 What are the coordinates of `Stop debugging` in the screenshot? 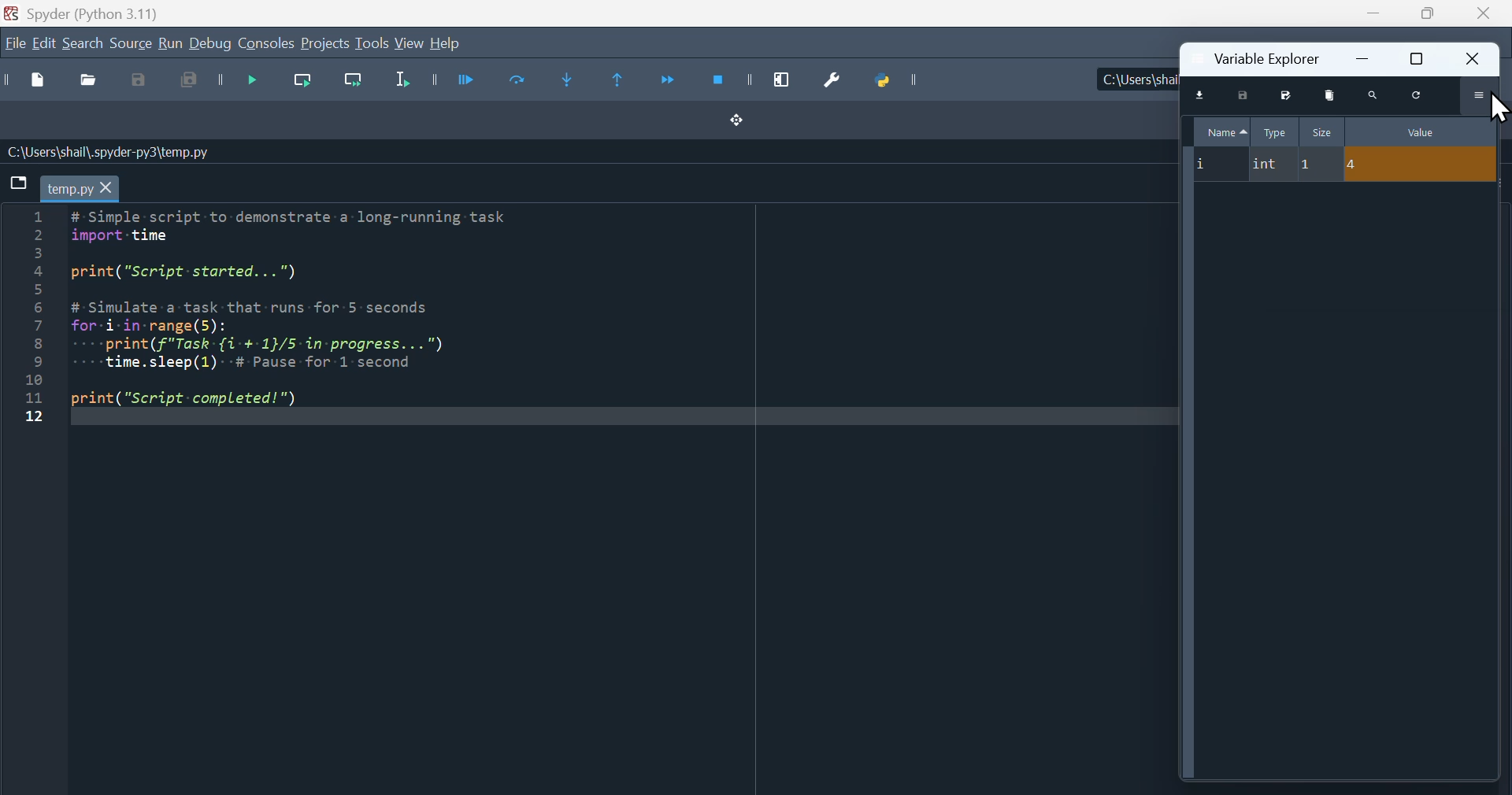 It's located at (728, 80).